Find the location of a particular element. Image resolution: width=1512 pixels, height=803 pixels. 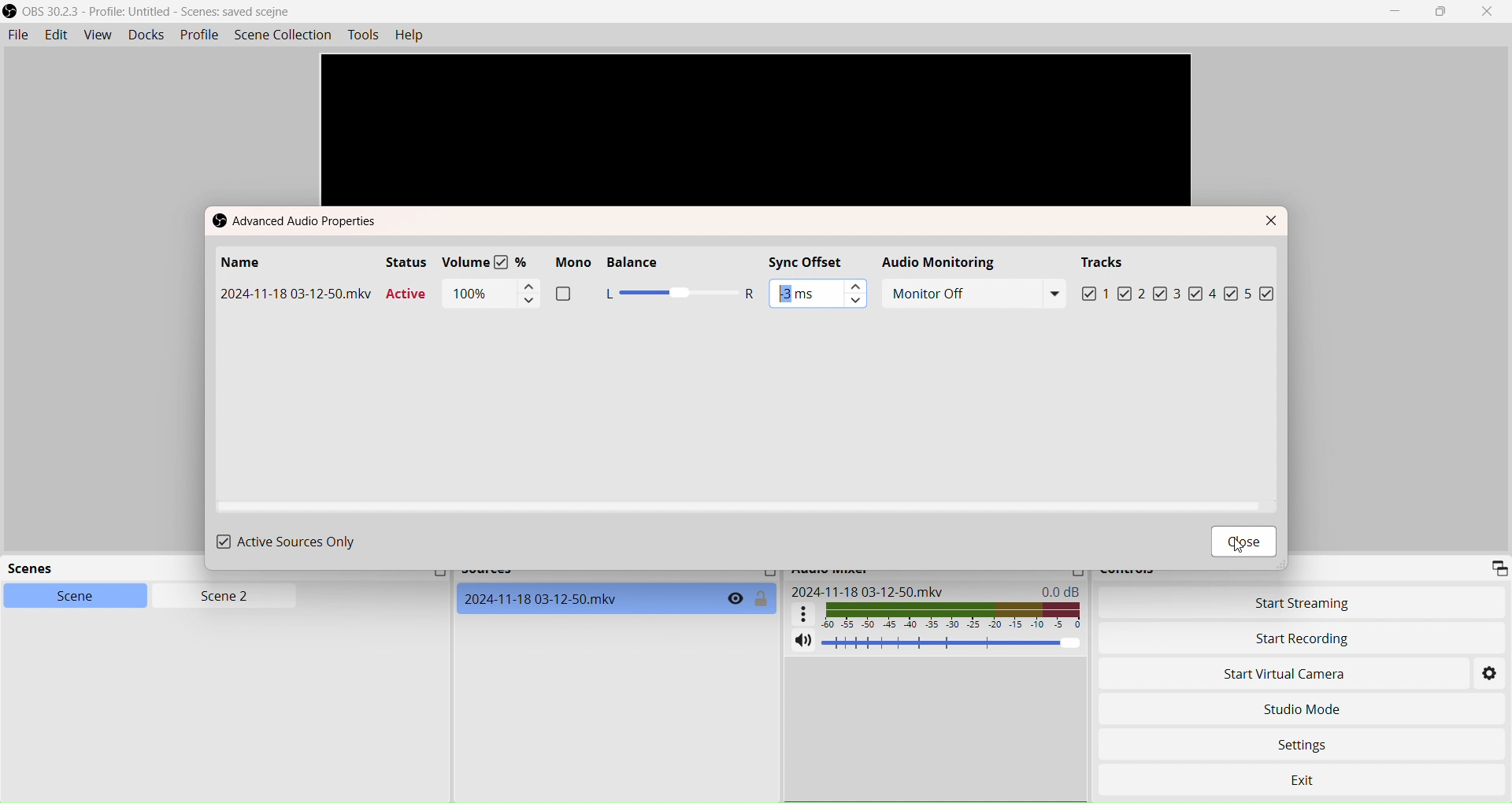

Mono is located at coordinates (570, 283).